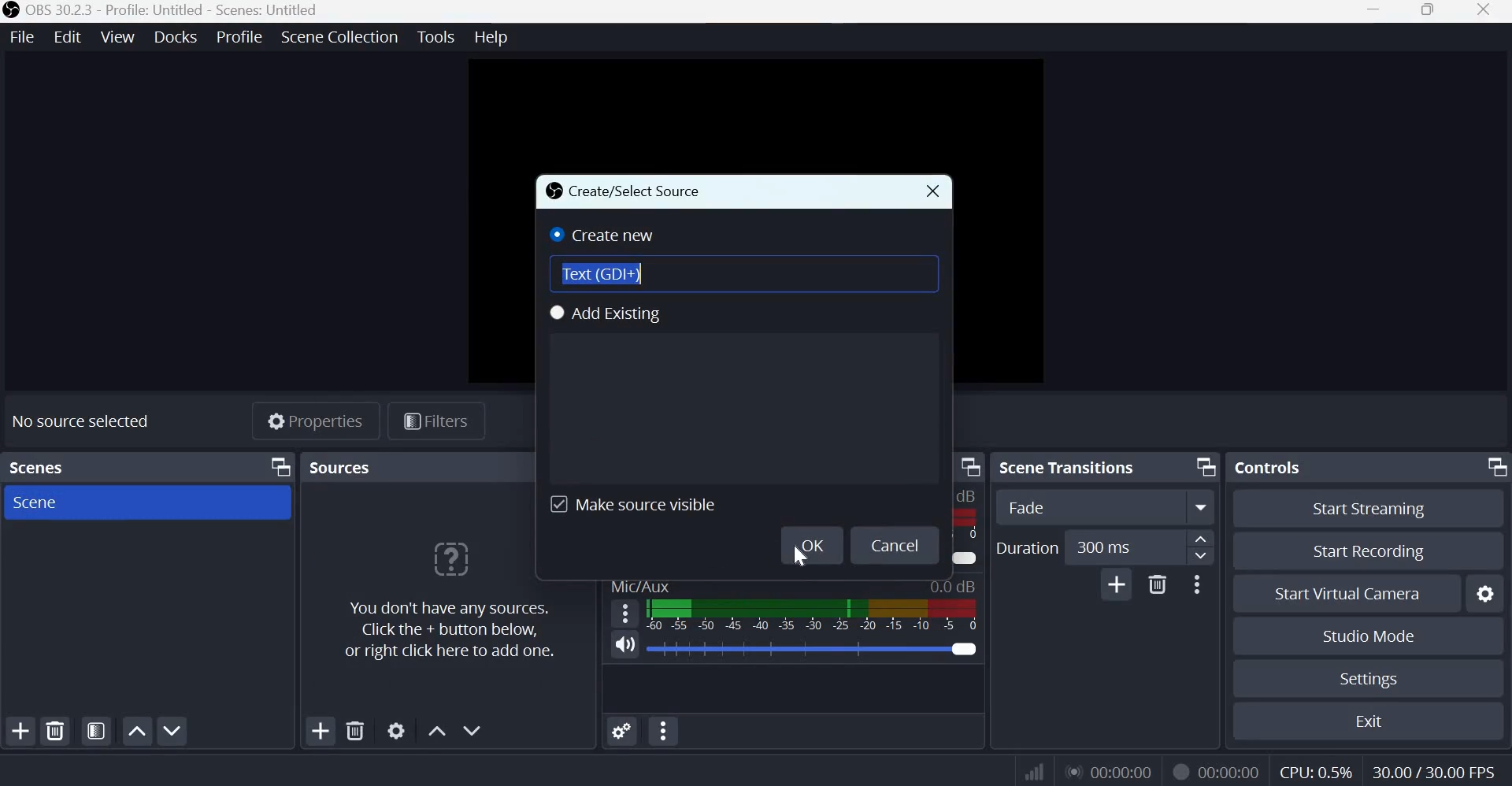 This screenshot has height=786, width=1512. I want to click on Filters, so click(435, 421).